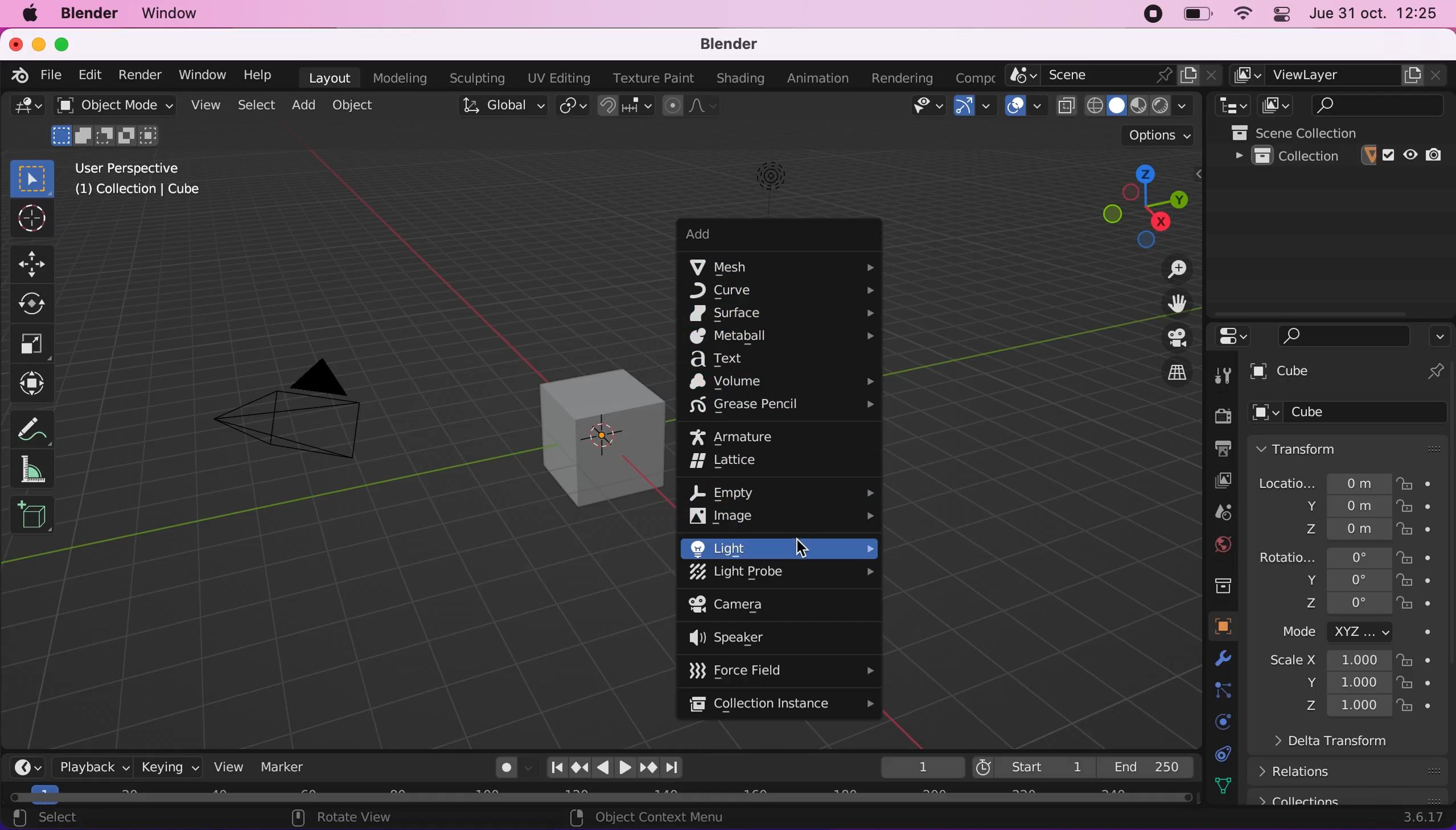 The image size is (1456, 830). What do you see at coordinates (138, 75) in the screenshot?
I see `render` at bounding box center [138, 75].